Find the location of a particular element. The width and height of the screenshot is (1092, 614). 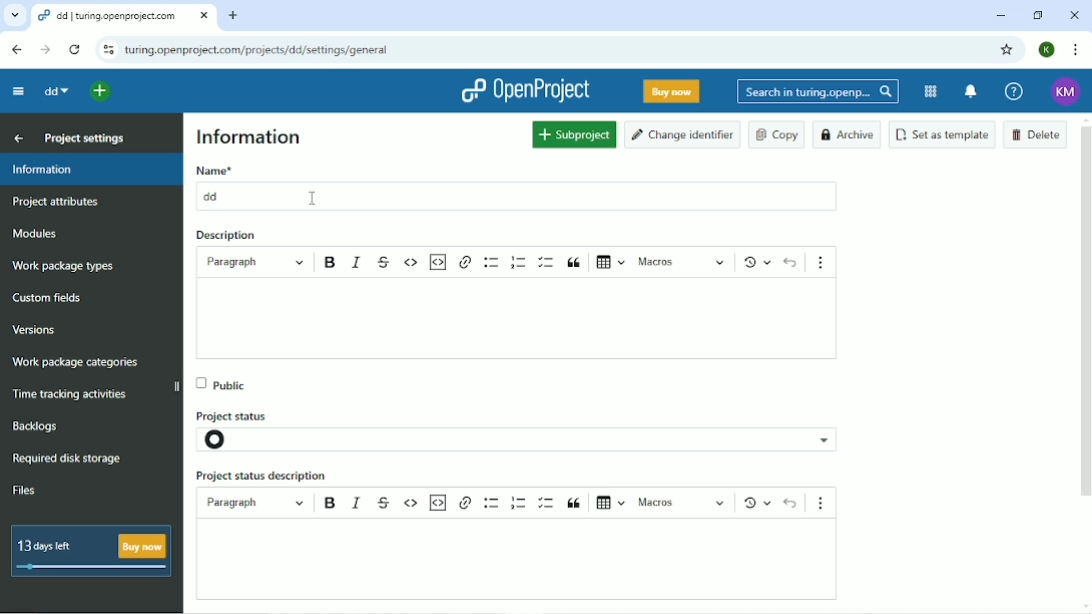

Insert code snippet is located at coordinates (438, 262).